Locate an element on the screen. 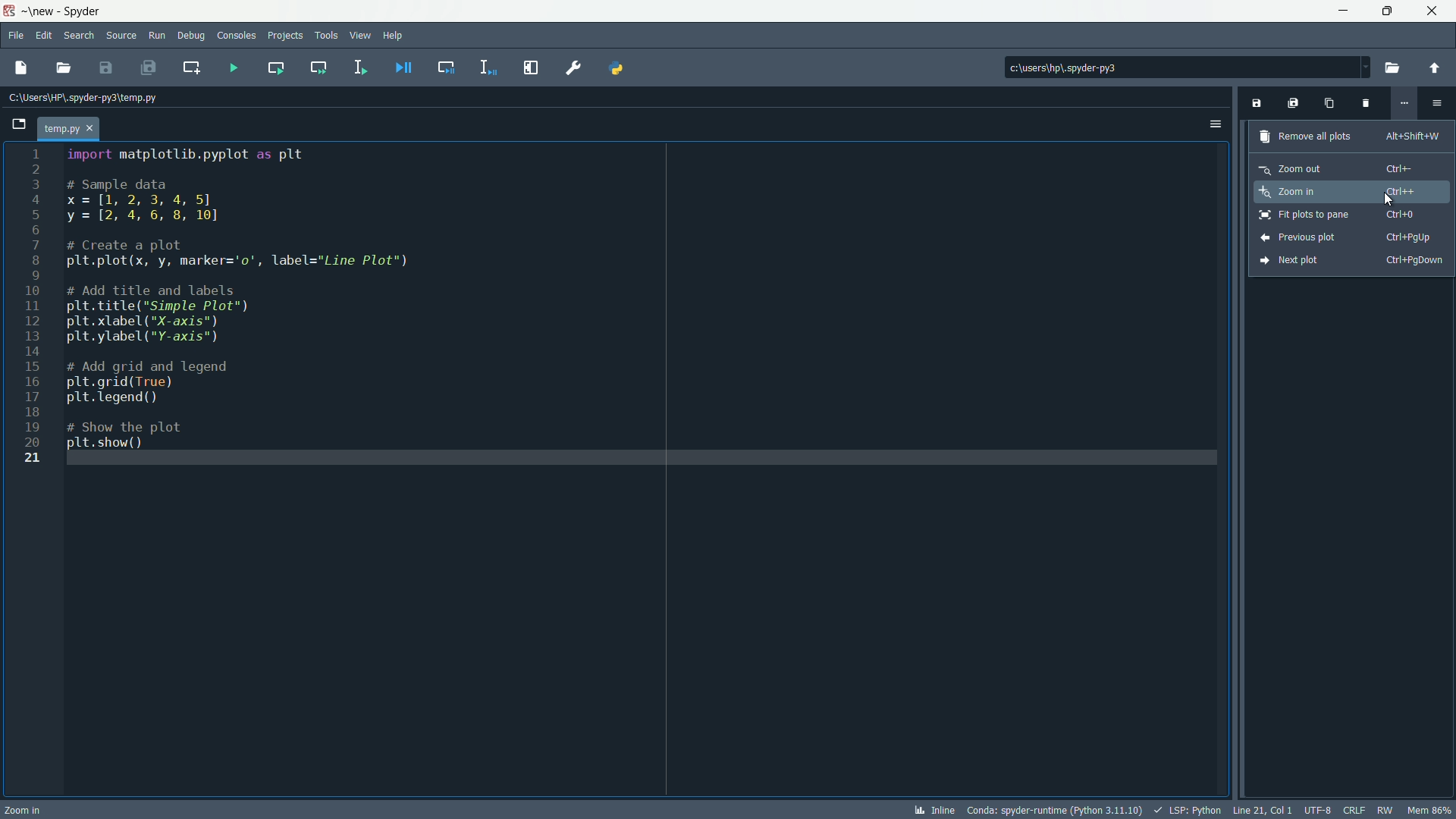  maximize  is located at coordinates (1382, 11).